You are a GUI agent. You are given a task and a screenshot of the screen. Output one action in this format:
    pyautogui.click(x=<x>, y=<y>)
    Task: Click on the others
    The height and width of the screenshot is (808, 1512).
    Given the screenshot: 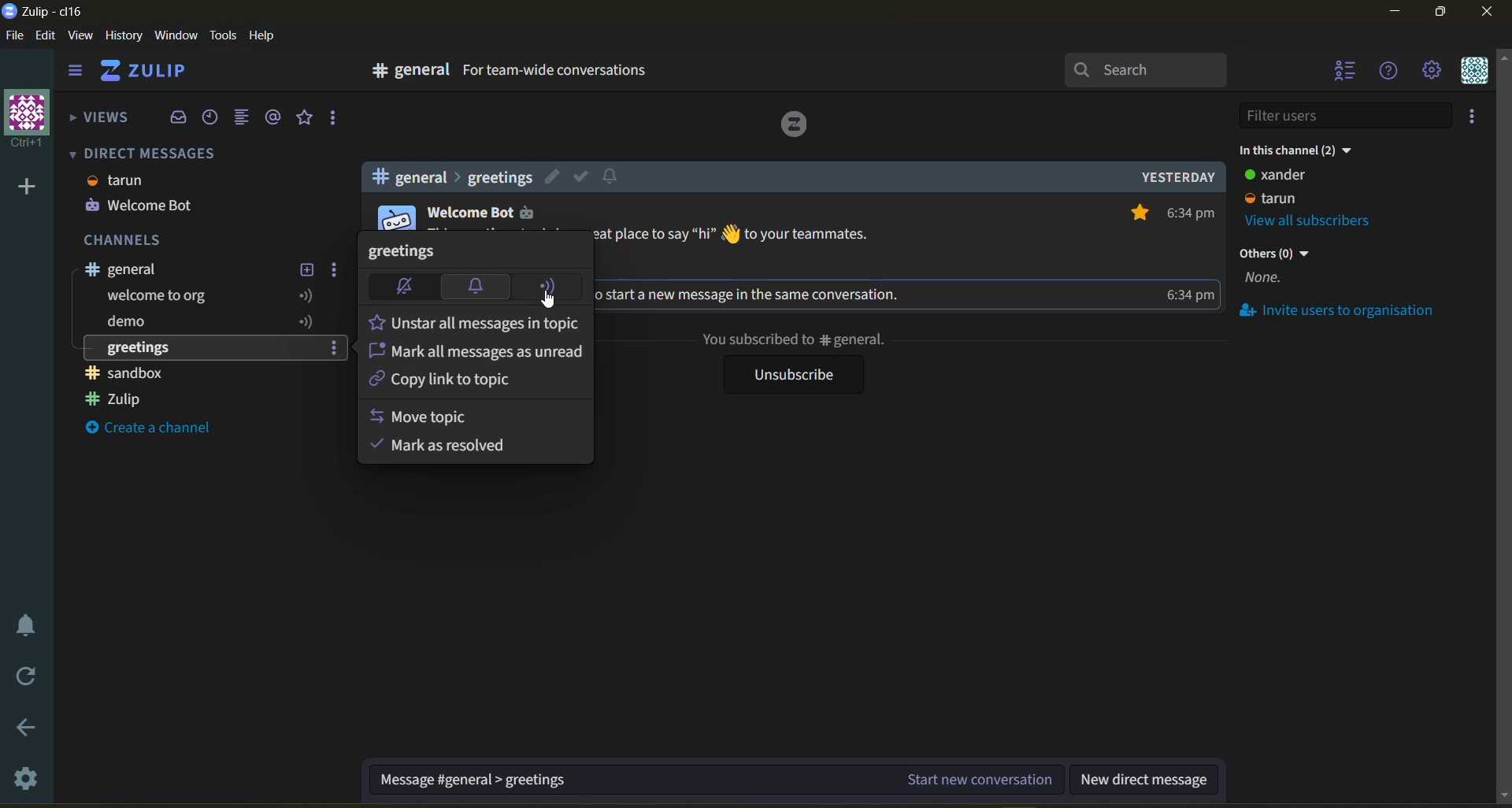 What is the action you would take?
    pyautogui.click(x=1277, y=269)
    